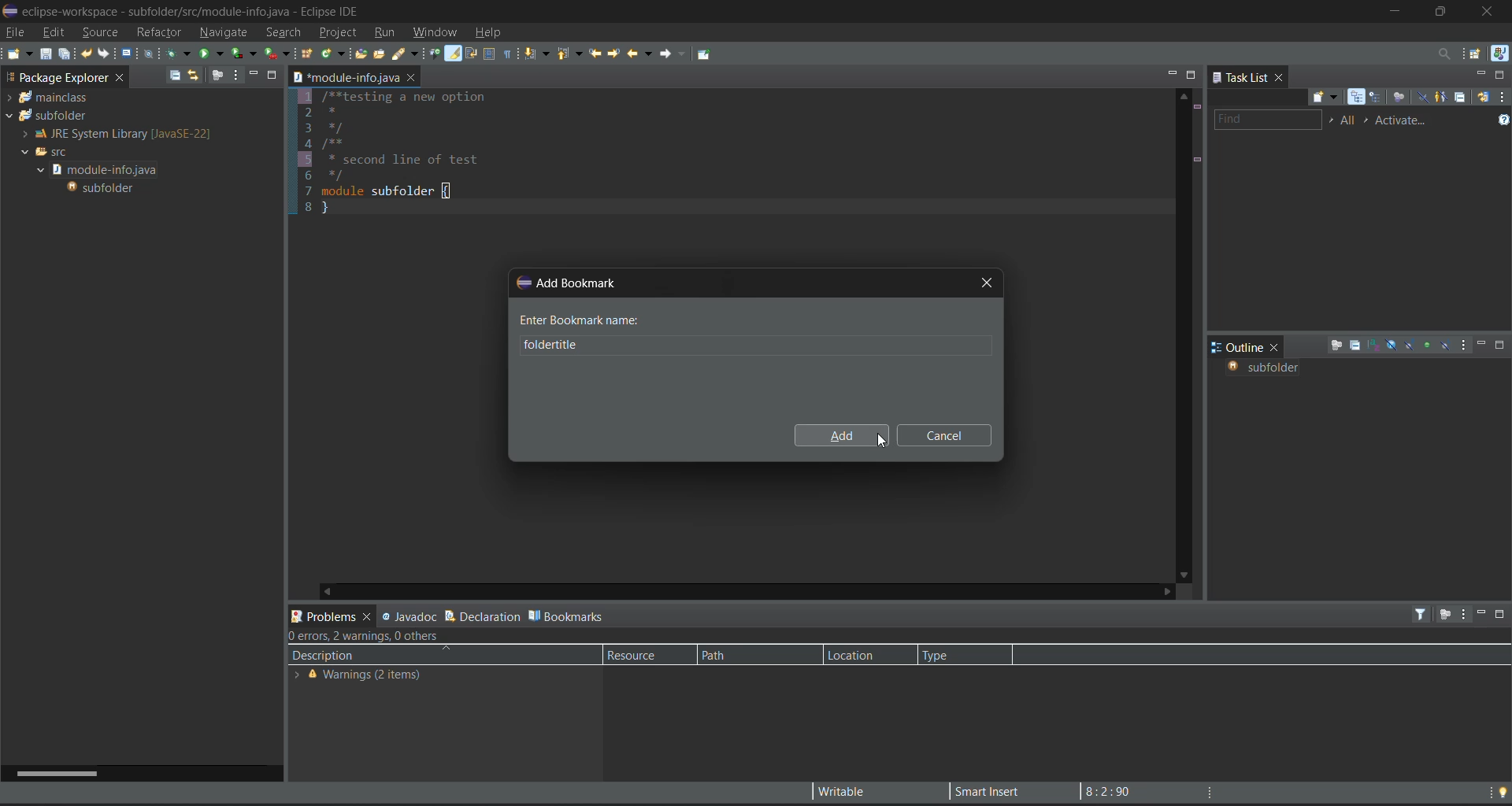 This screenshot has width=1512, height=806. What do you see at coordinates (50, 98) in the screenshot?
I see `mainclass` at bounding box center [50, 98].